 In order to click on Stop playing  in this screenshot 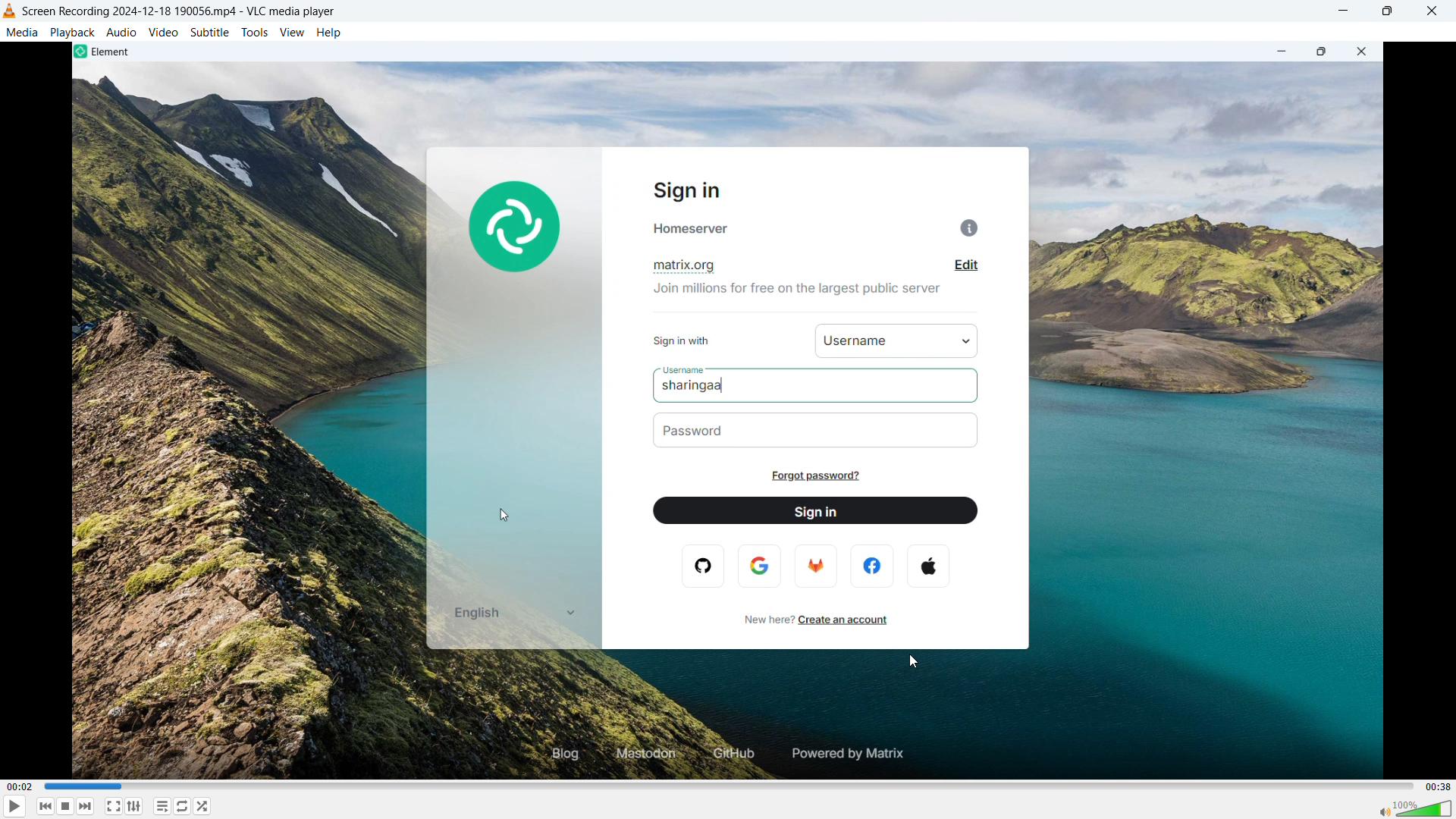, I will do `click(46, 806)`.